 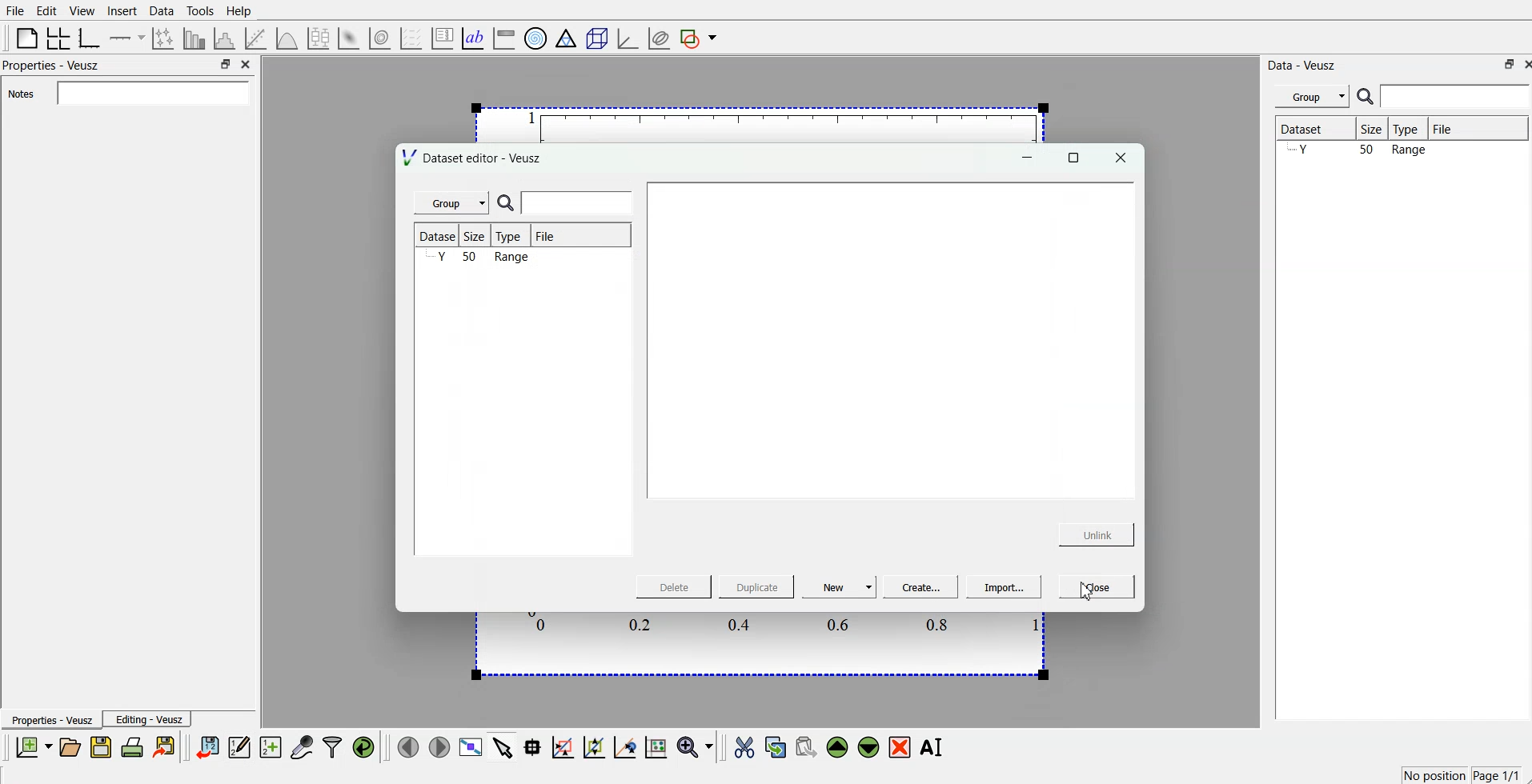 What do you see at coordinates (1443, 96) in the screenshot?
I see `search bar` at bounding box center [1443, 96].